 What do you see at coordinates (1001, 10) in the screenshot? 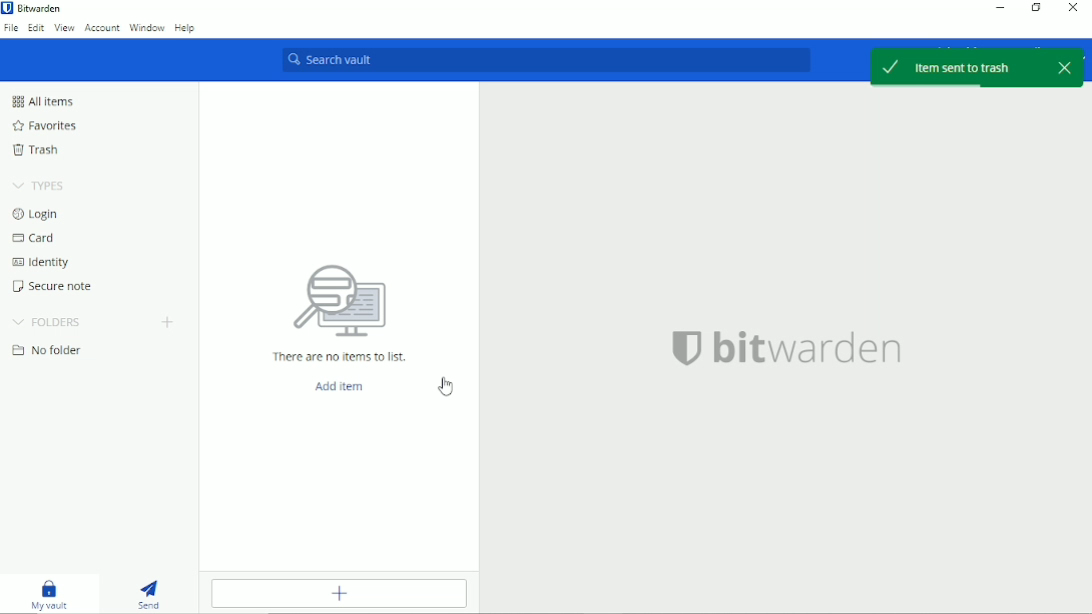
I see `Minimize` at bounding box center [1001, 10].